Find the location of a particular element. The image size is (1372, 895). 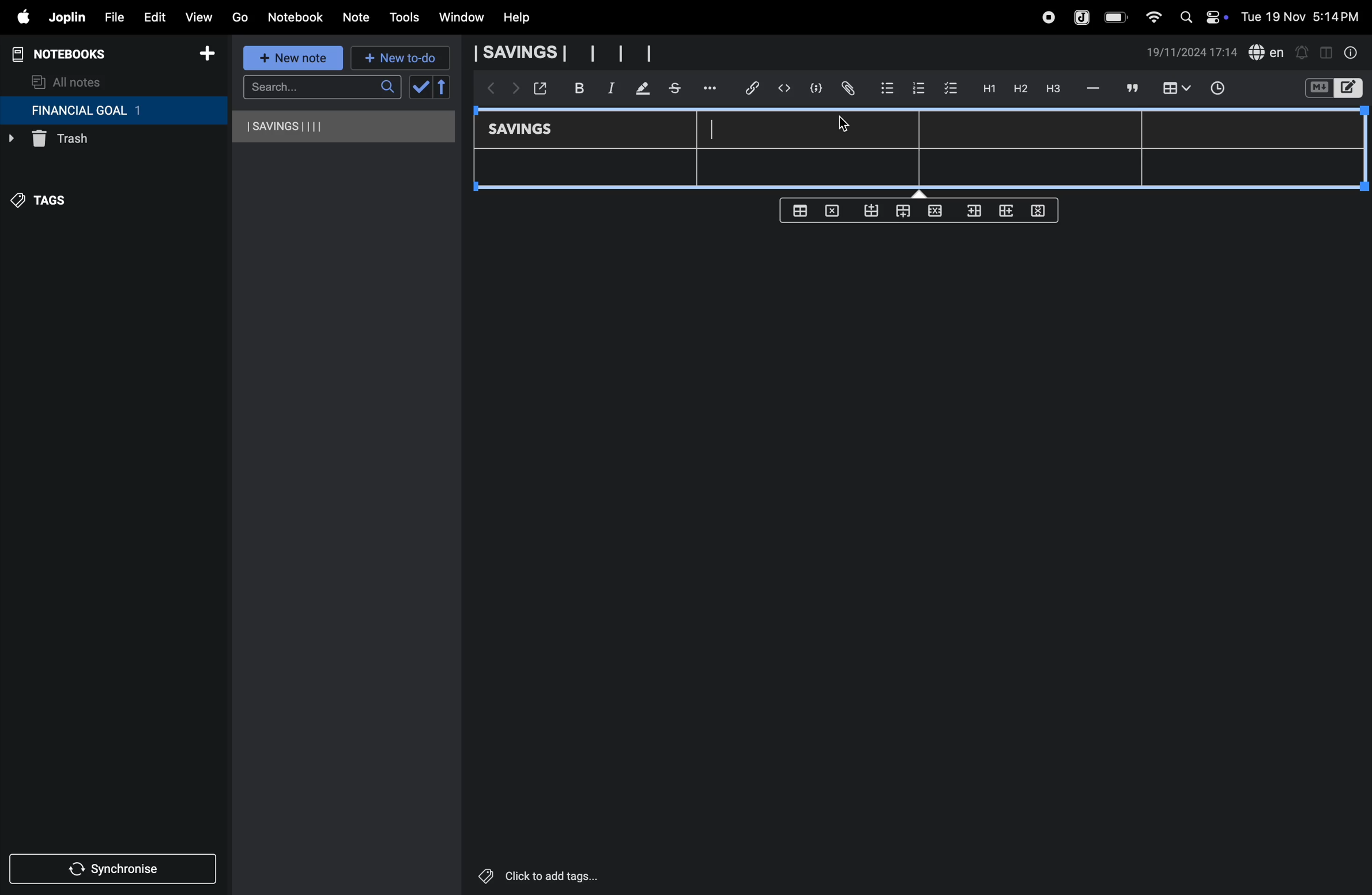

apple menu is located at coordinates (17, 17).